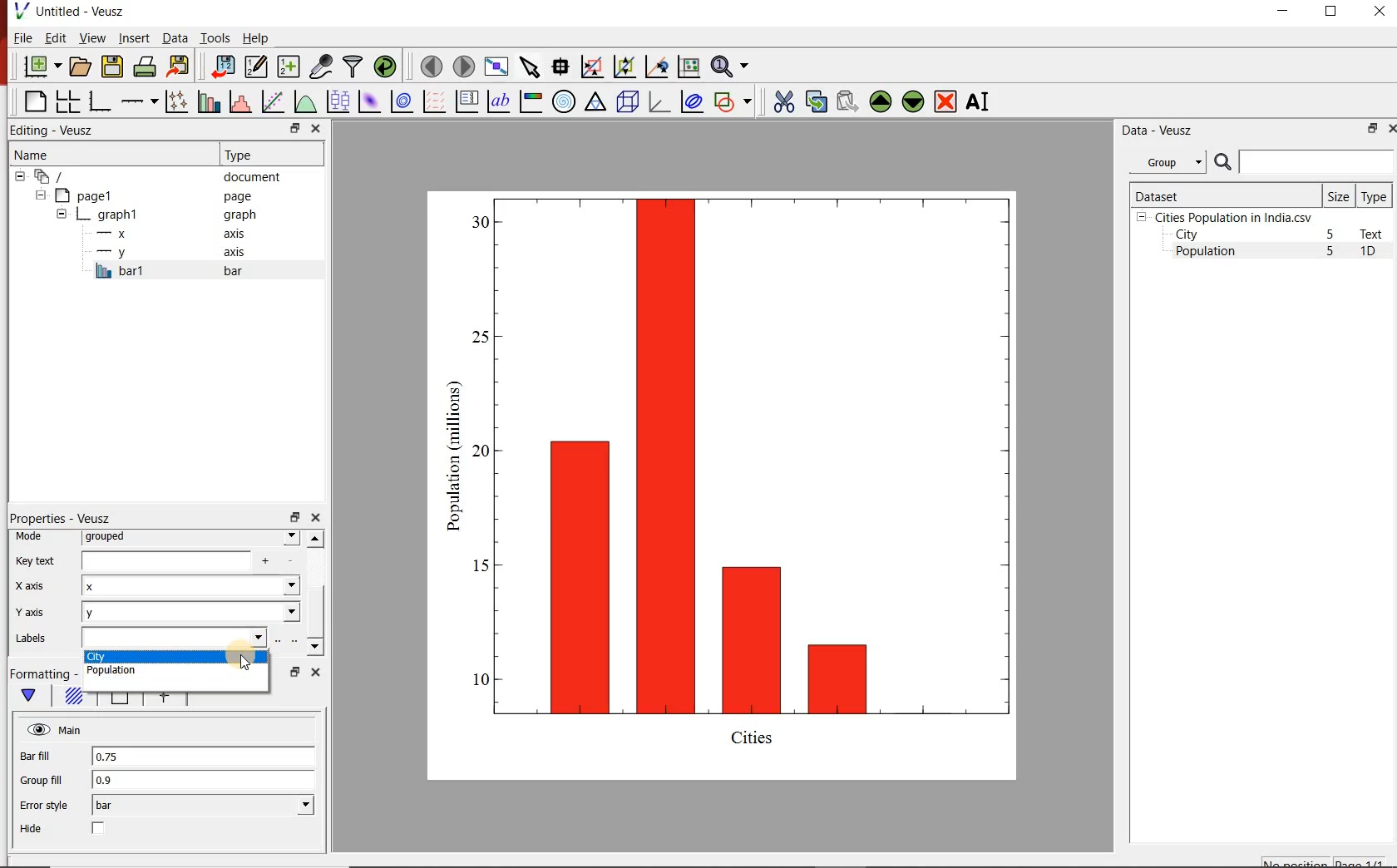  What do you see at coordinates (1378, 13) in the screenshot?
I see `CLOSE` at bounding box center [1378, 13].